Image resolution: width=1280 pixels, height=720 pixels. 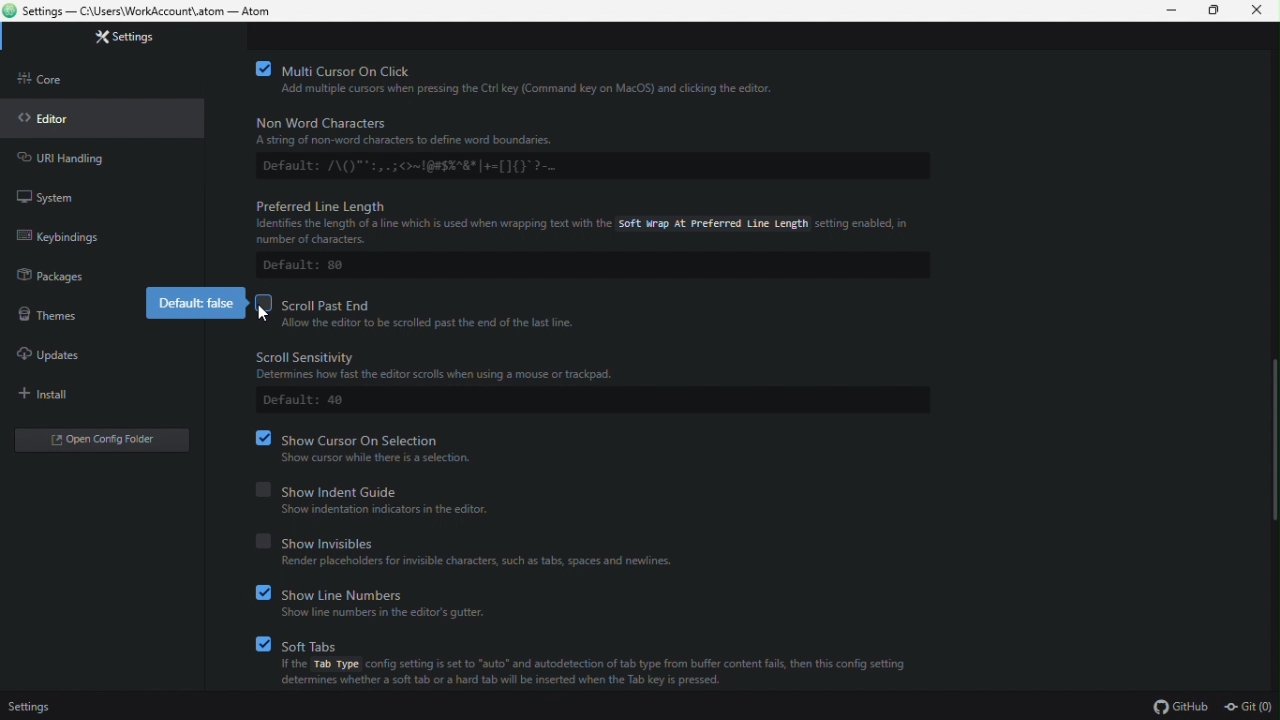 I want to click on  Allow the editor to be scrolled past the end of the last fine., so click(x=437, y=323).